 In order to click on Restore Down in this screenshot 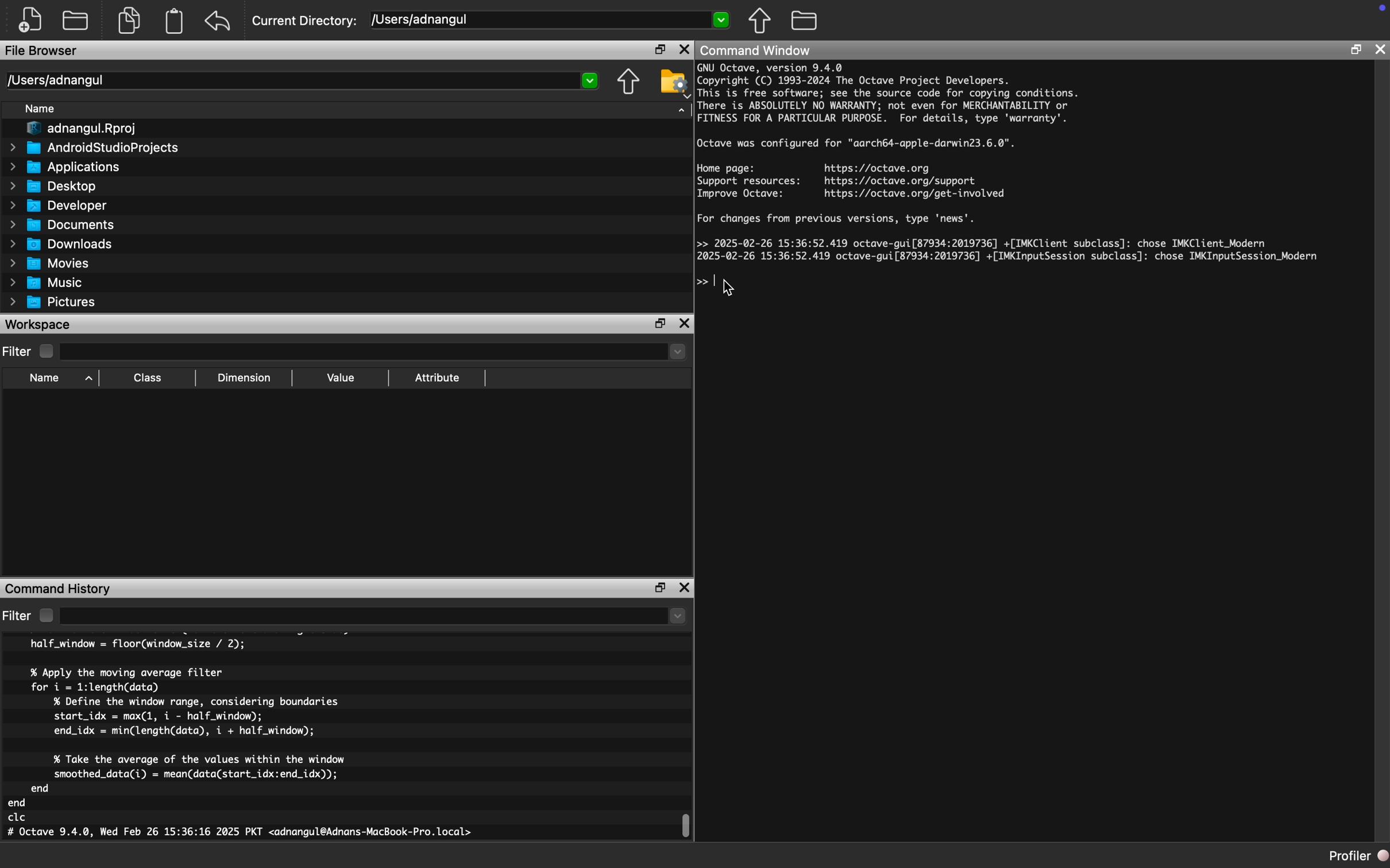, I will do `click(660, 324)`.